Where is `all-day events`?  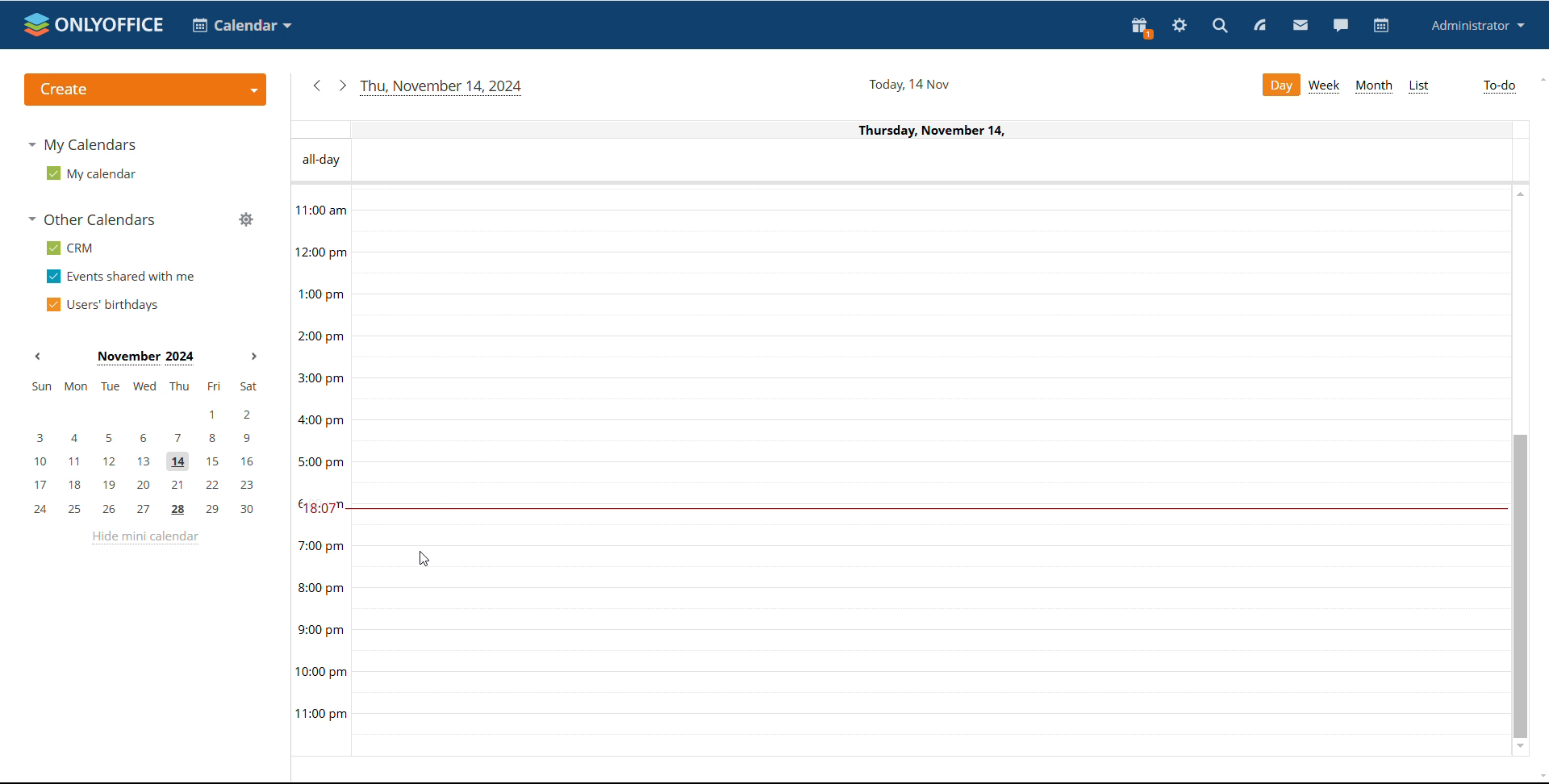 all-day events is located at coordinates (943, 161).